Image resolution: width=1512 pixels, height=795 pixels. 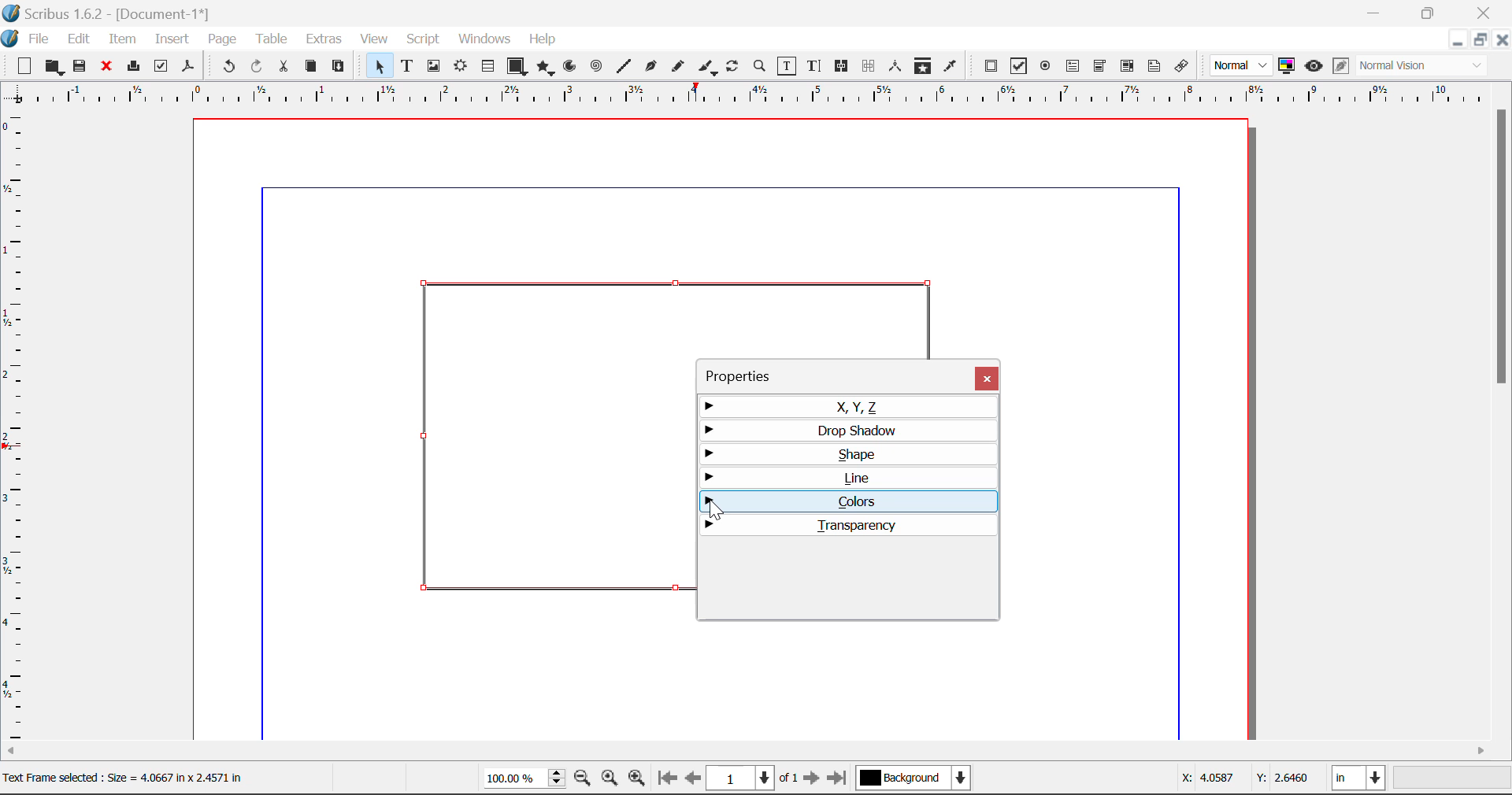 What do you see at coordinates (754, 778) in the screenshot?
I see `Page 1 of 1` at bounding box center [754, 778].